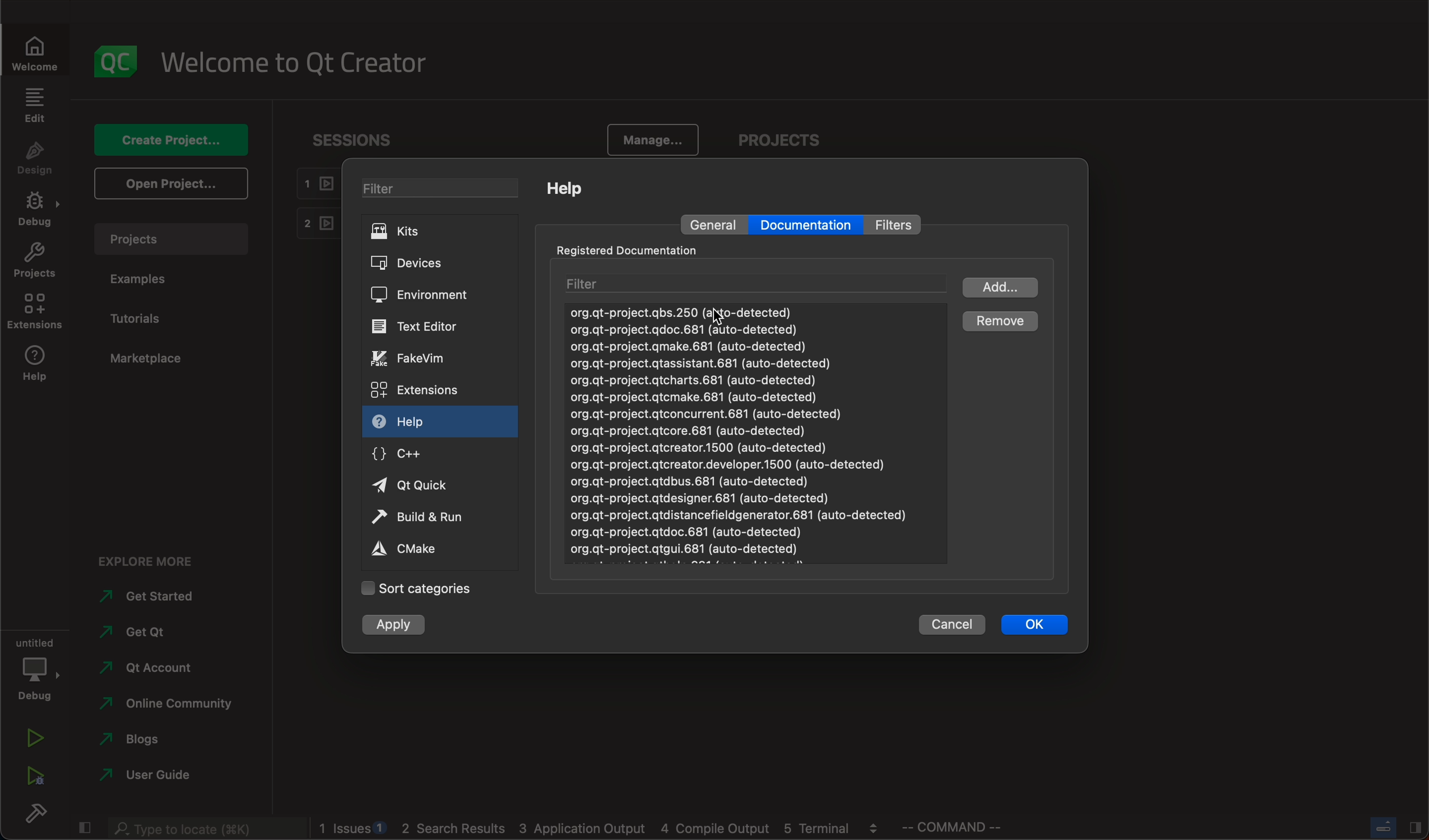 This screenshot has width=1429, height=840. I want to click on general, so click(711, 226).